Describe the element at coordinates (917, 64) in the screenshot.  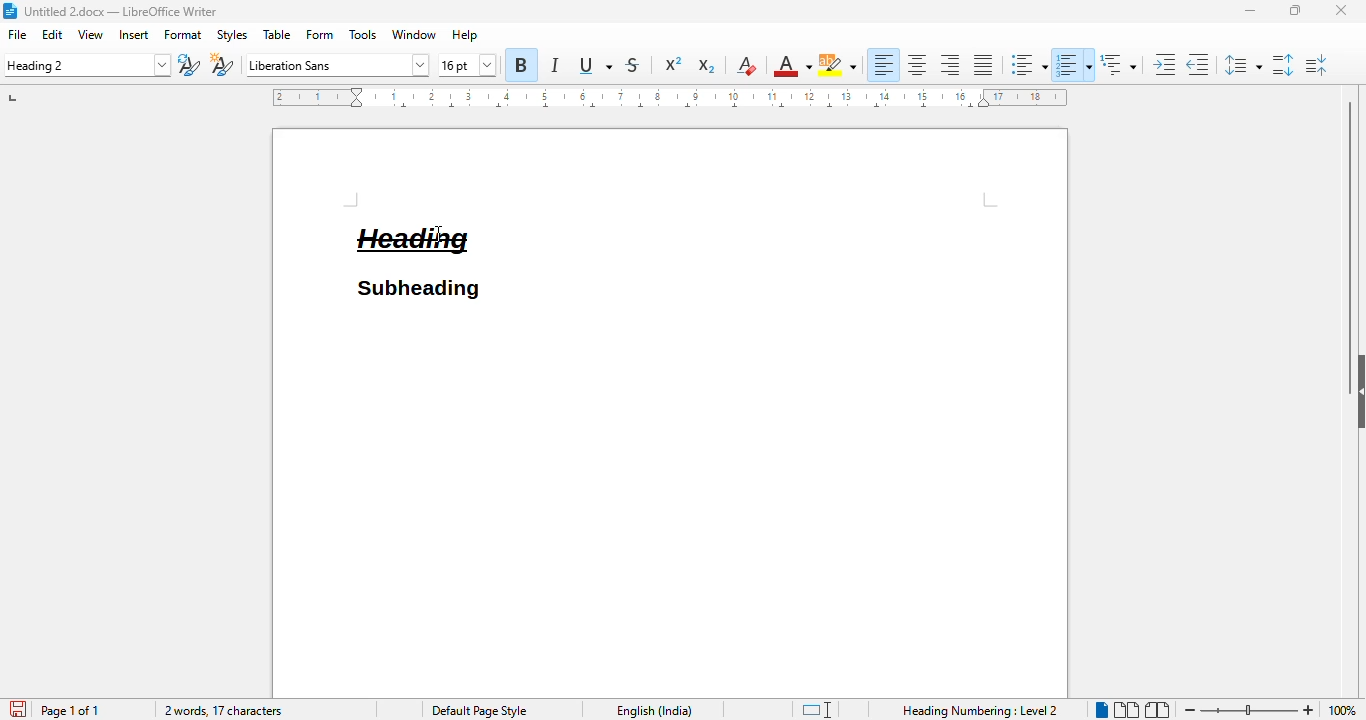
I see `align center` at that location.